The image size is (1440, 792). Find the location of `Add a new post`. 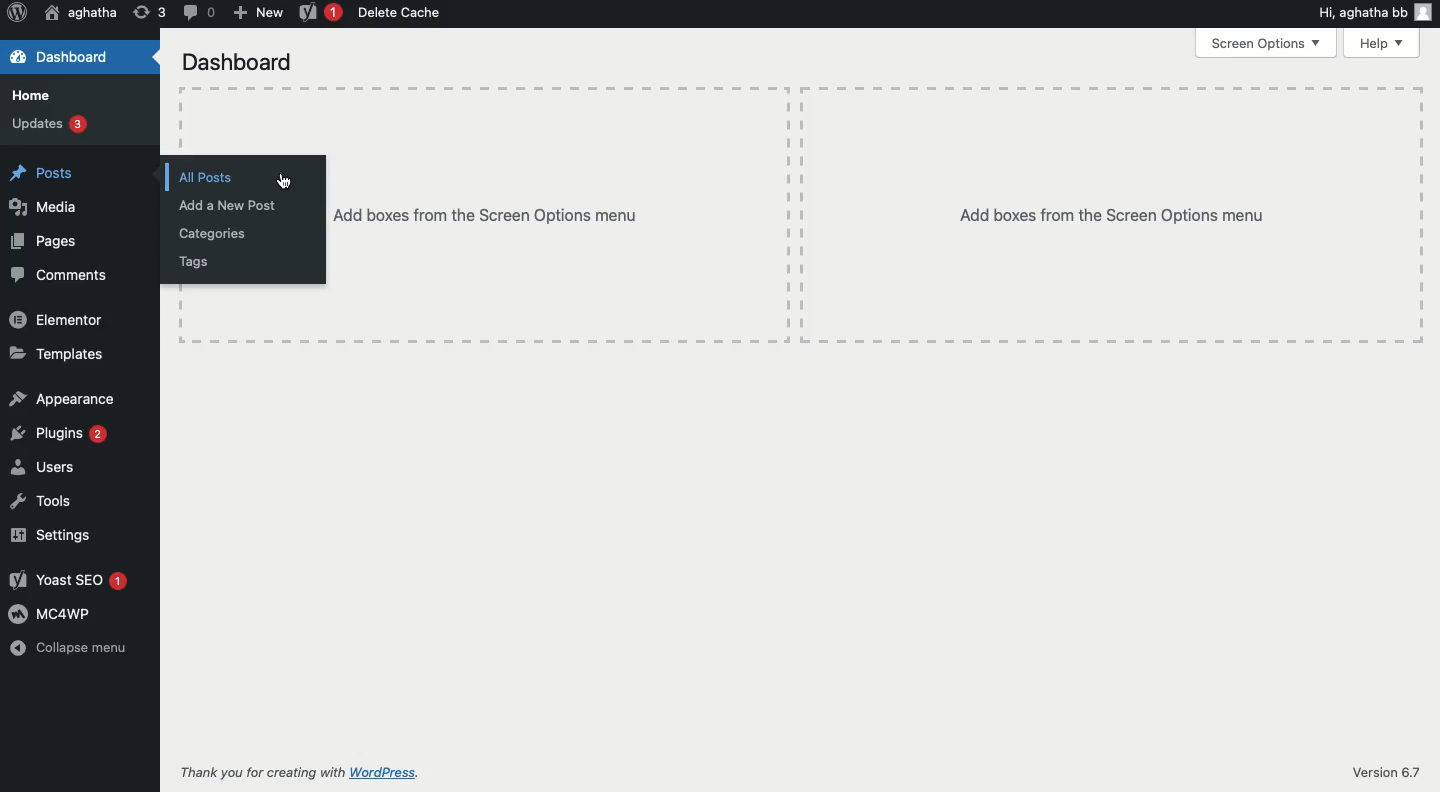

Add a new post is located at coordinates (224, 205).